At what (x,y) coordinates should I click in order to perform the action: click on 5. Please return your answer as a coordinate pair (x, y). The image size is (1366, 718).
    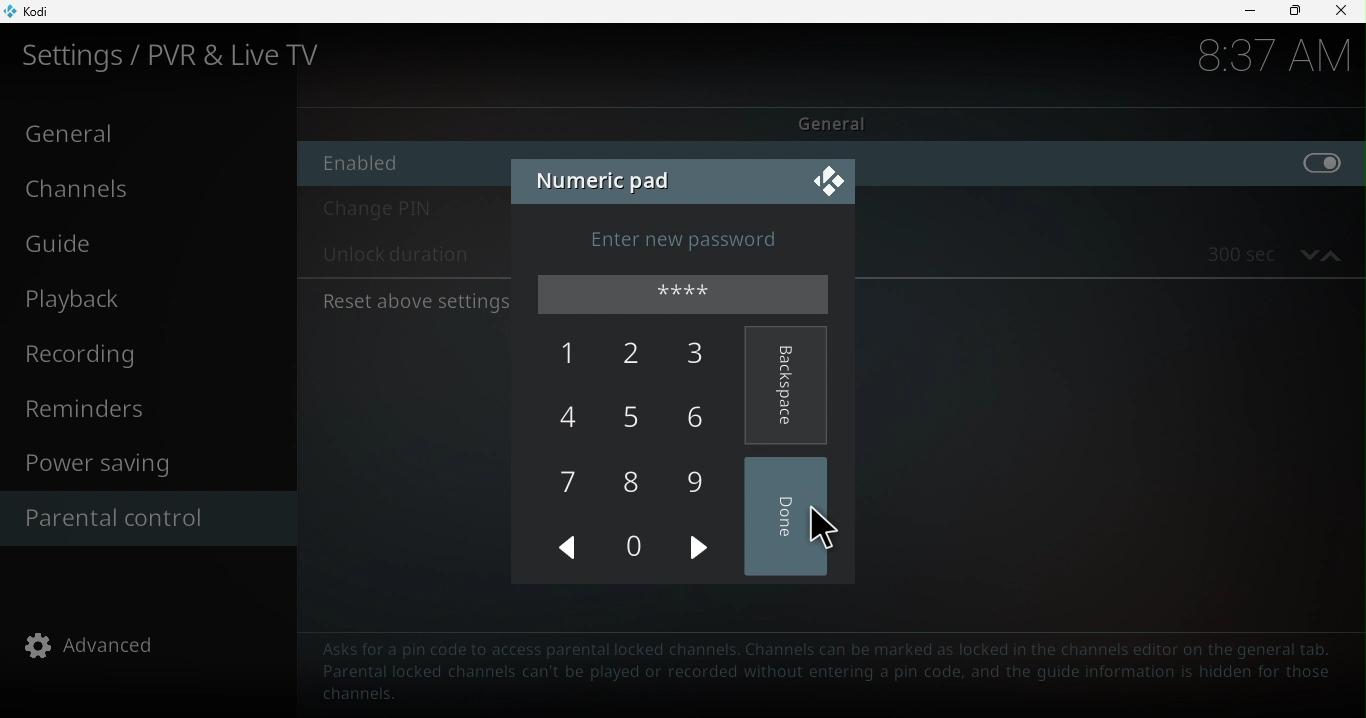
    Looking at the image, I should click on (639, 420).